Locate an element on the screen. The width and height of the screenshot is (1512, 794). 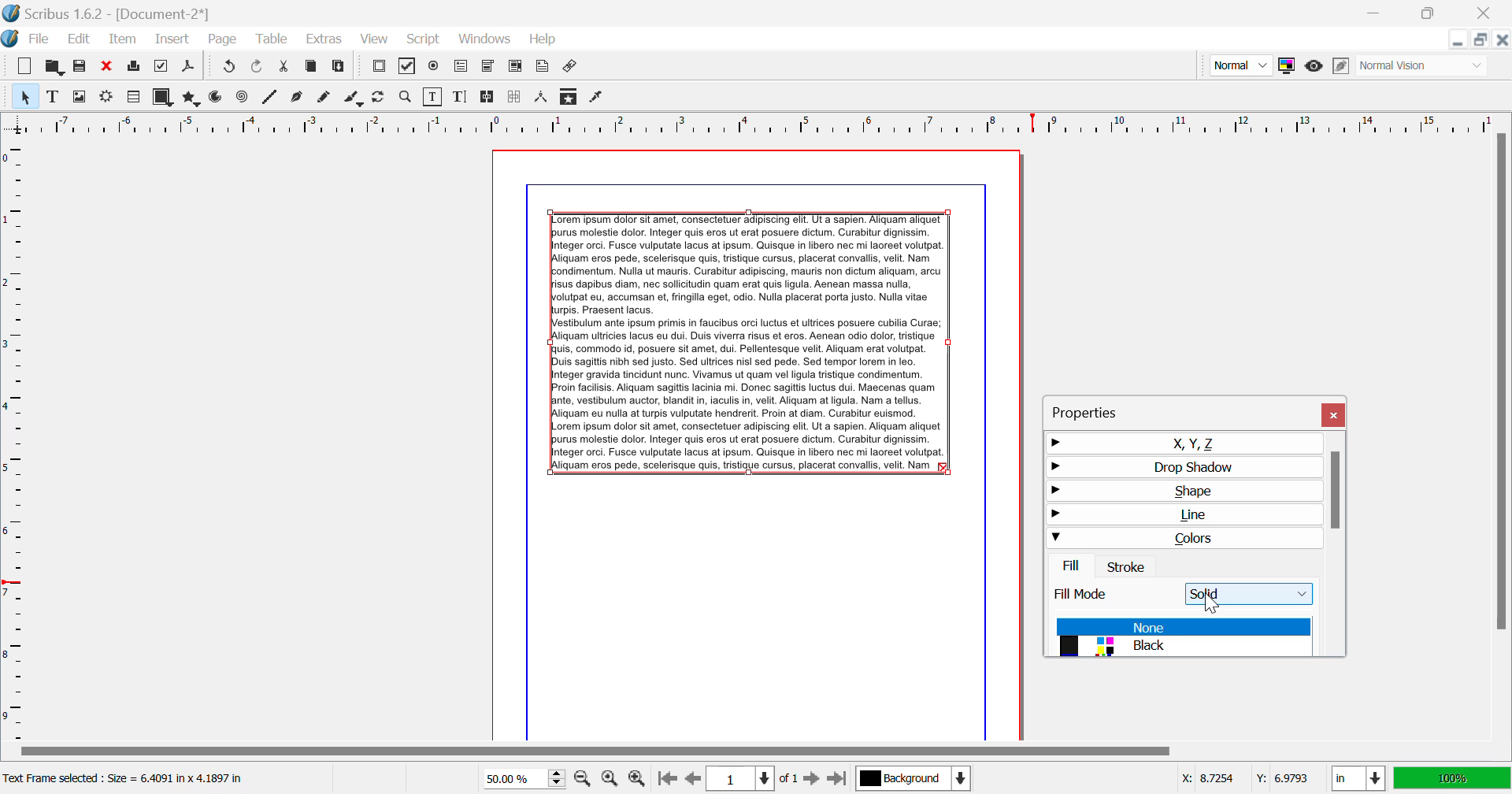
Undo is located at coordinates (259, 68).